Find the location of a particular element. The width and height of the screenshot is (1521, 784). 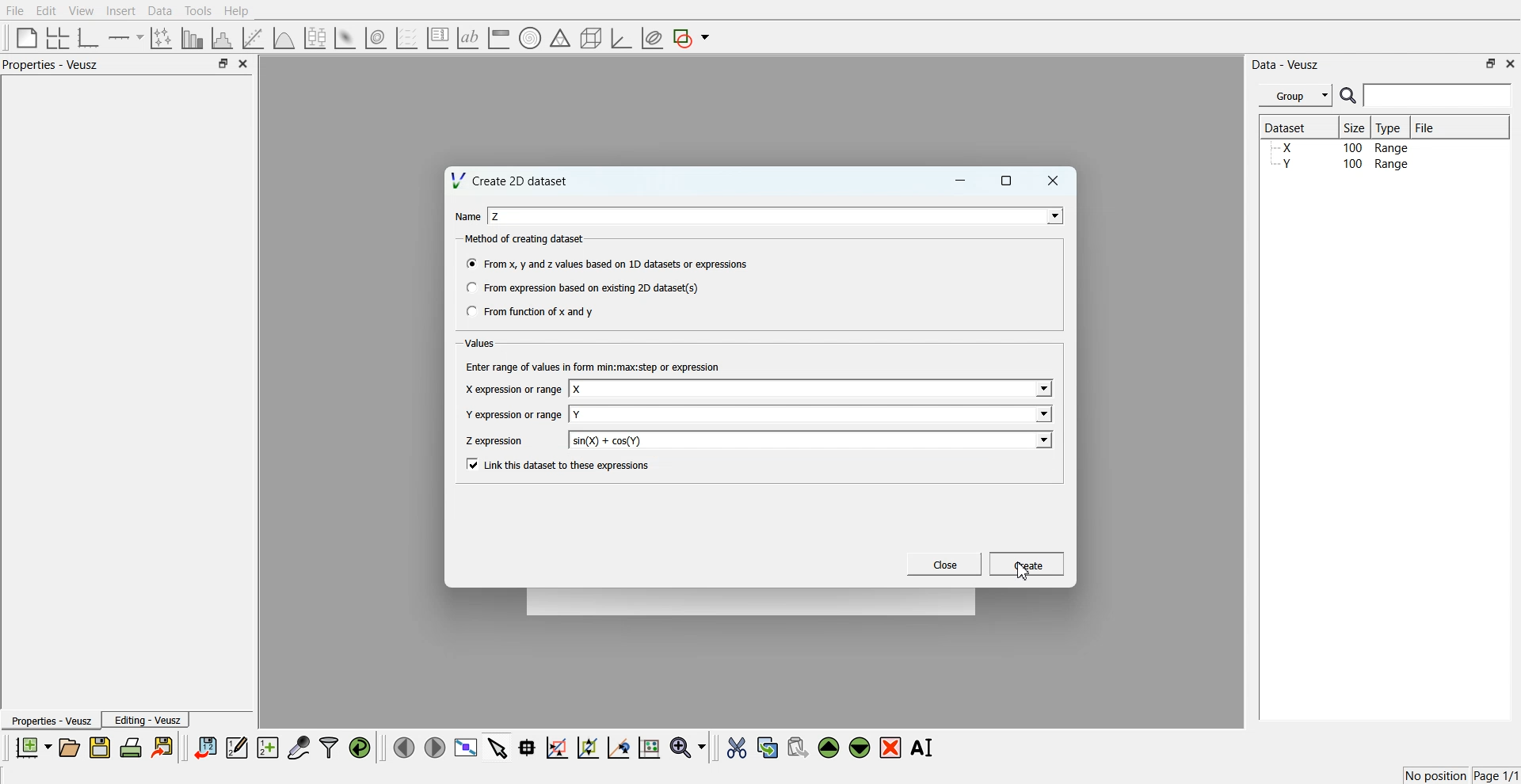

Plot points with lines is located at coordinates (162, 38).